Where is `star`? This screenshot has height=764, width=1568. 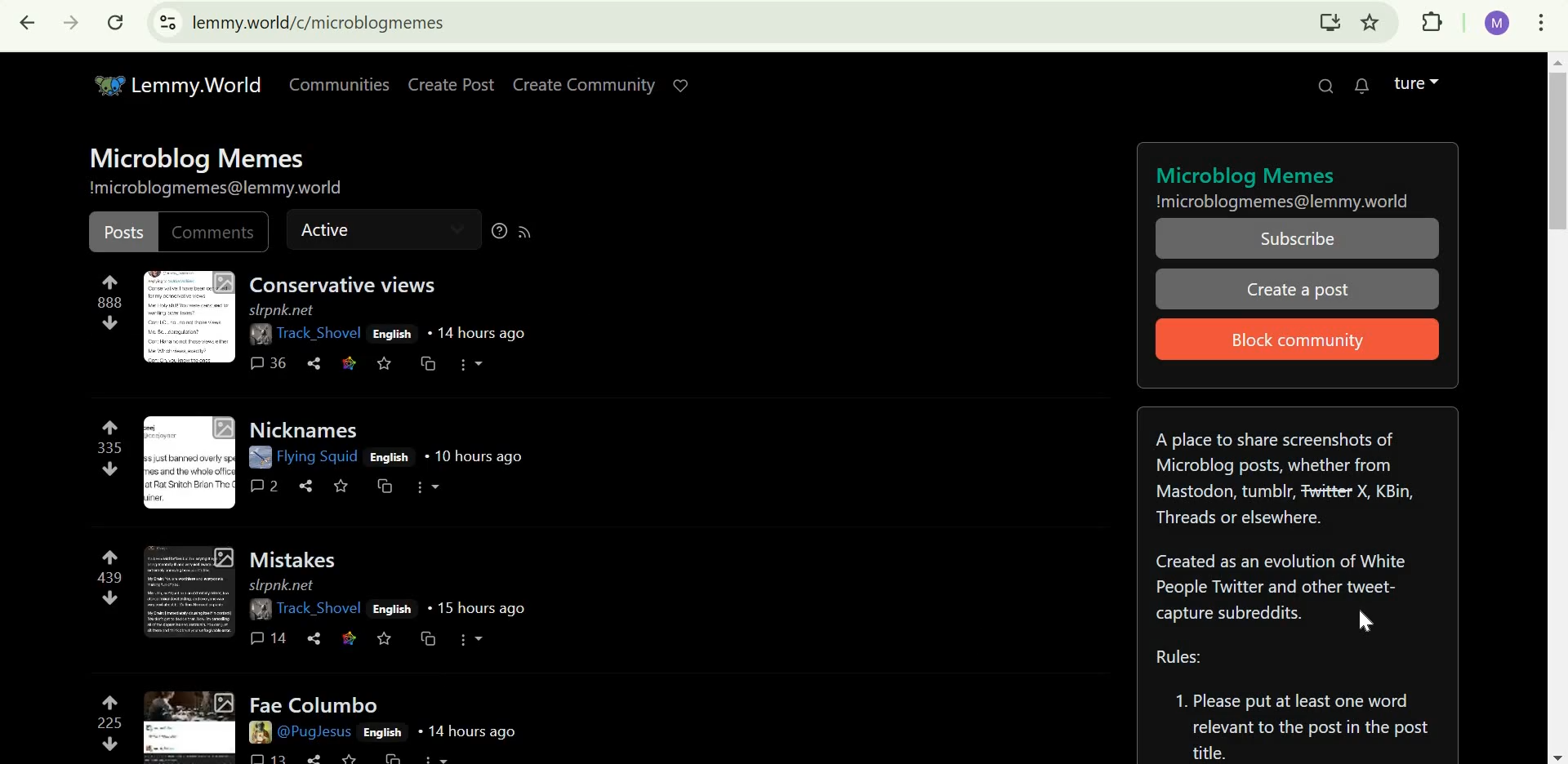
star is located at coordinates (357, 757).